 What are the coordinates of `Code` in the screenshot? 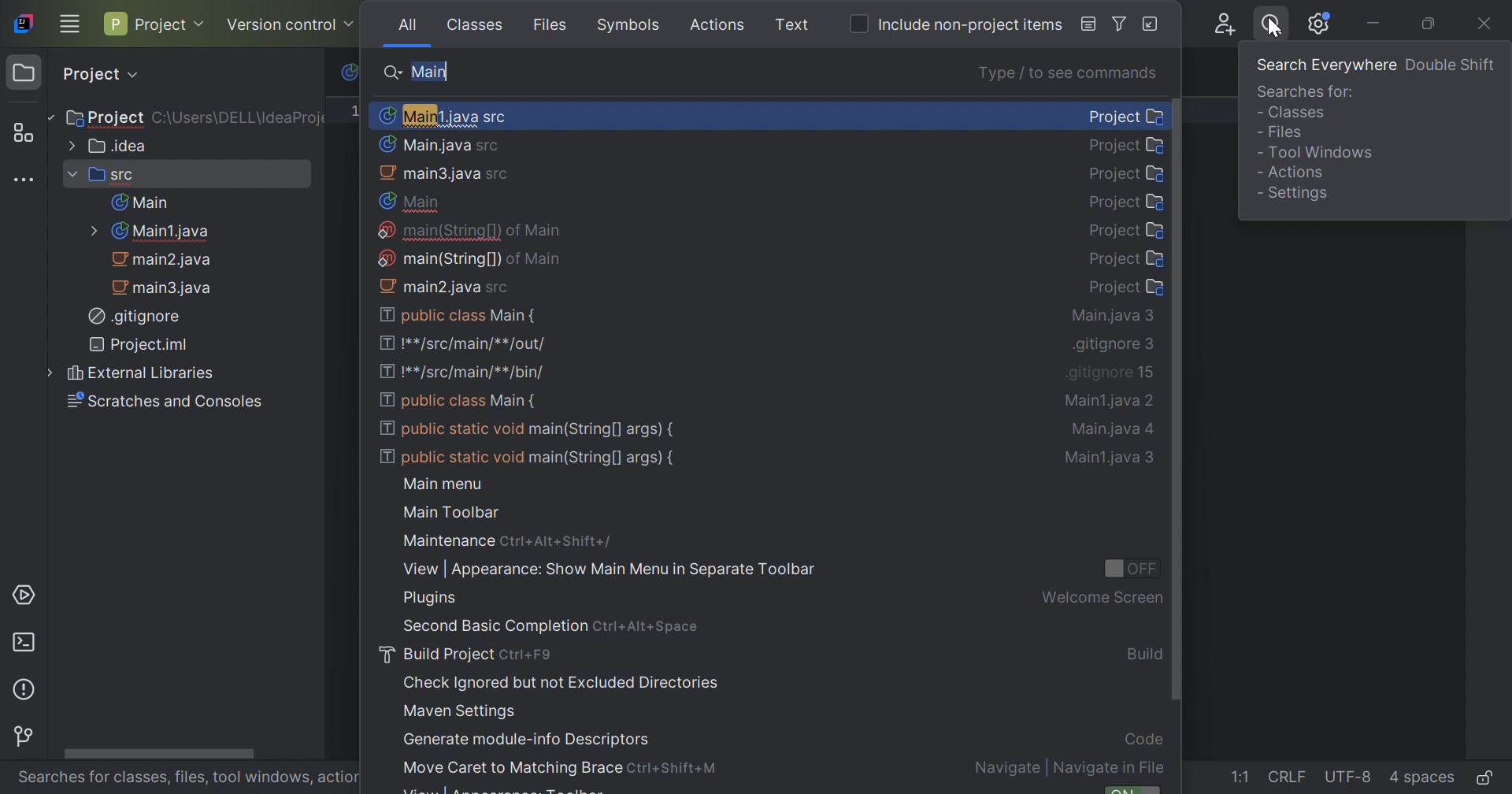 It's located at (1143, 740).